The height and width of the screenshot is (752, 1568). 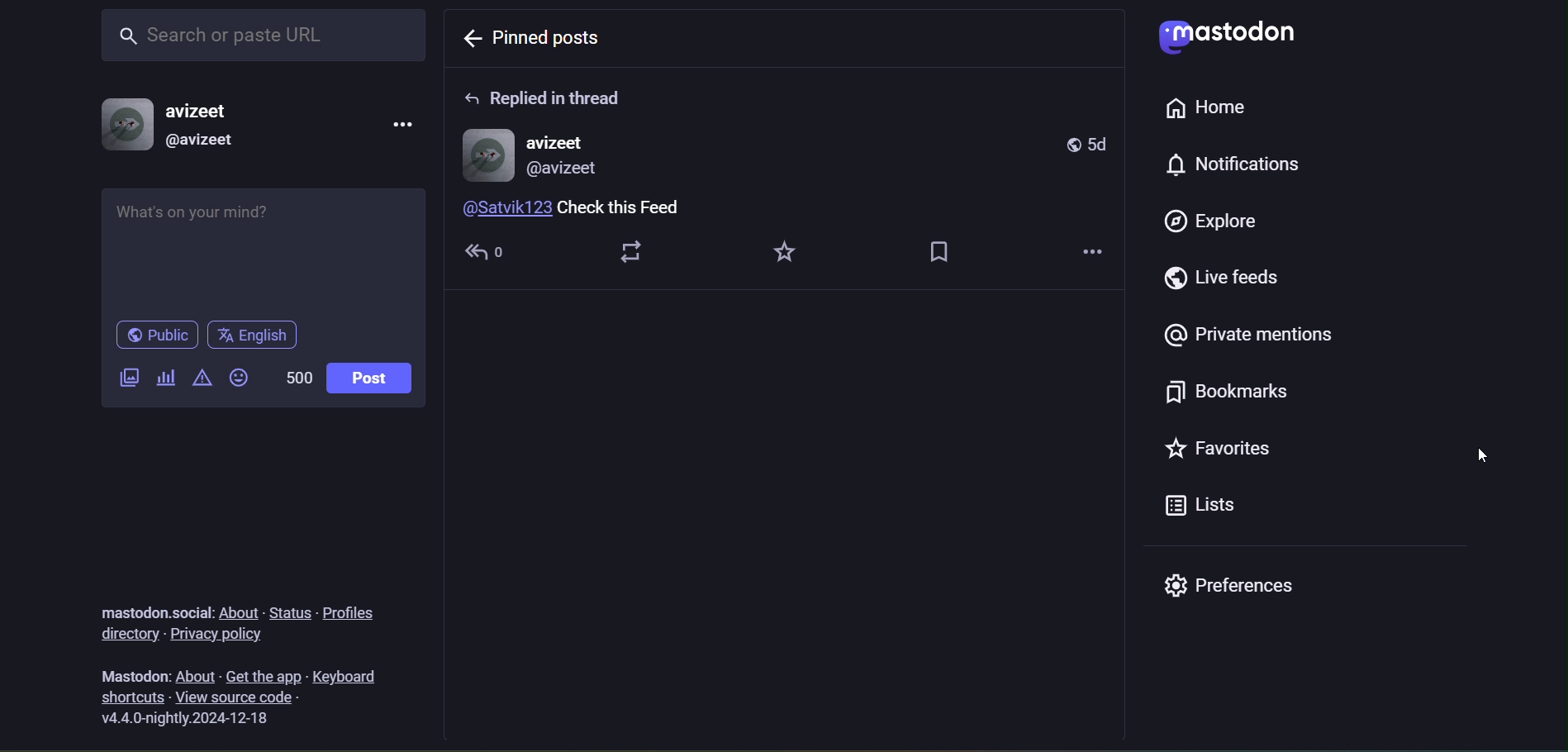 I want to click on live feeds, so click(x=1223, y=279).